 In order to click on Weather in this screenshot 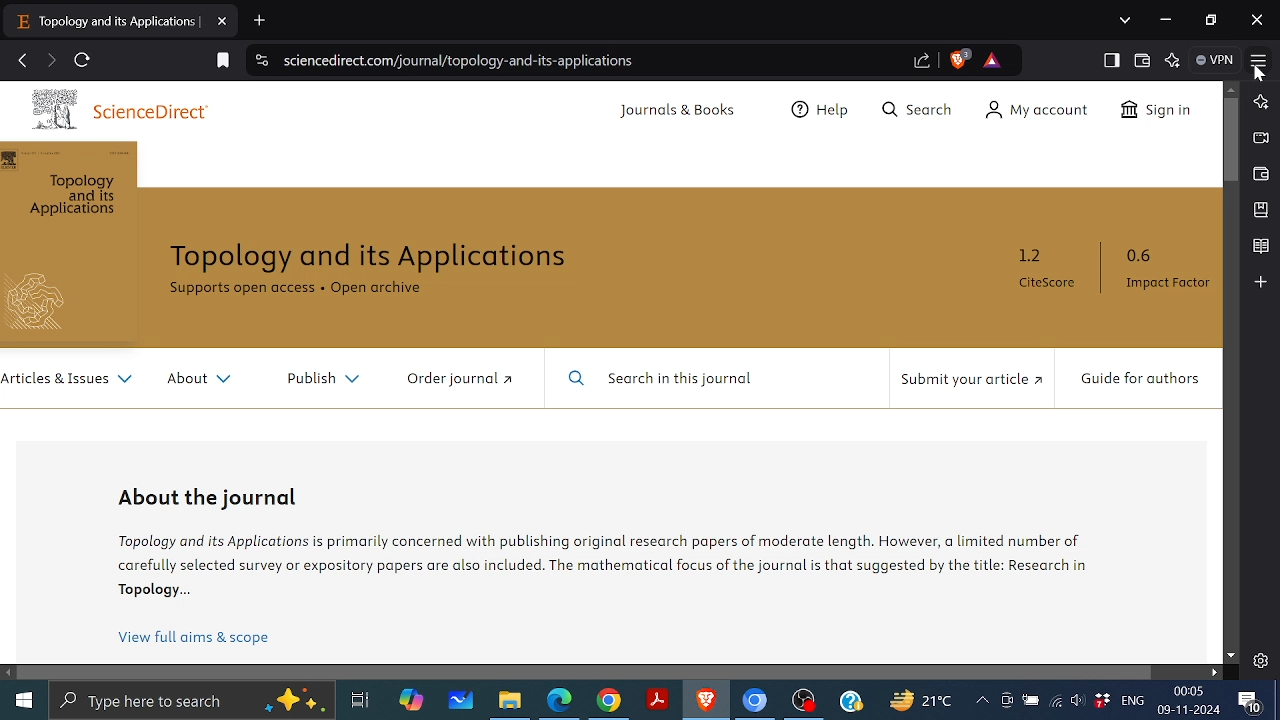, I will do `click(914, 700)`.